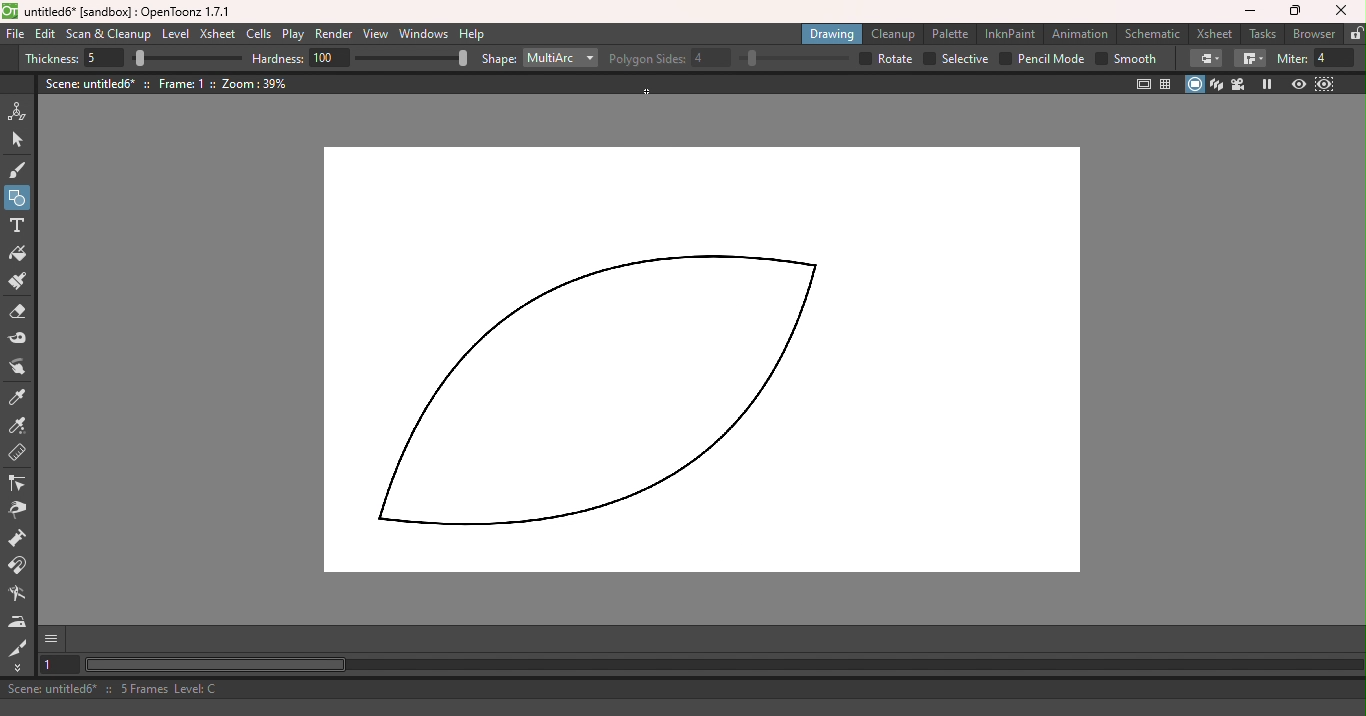 This screenshot has height=716, width=1366. What do you see at coordinates (18, 198) in the screenshot?
I see `Geometric tool` at bounding box center [18, 198].